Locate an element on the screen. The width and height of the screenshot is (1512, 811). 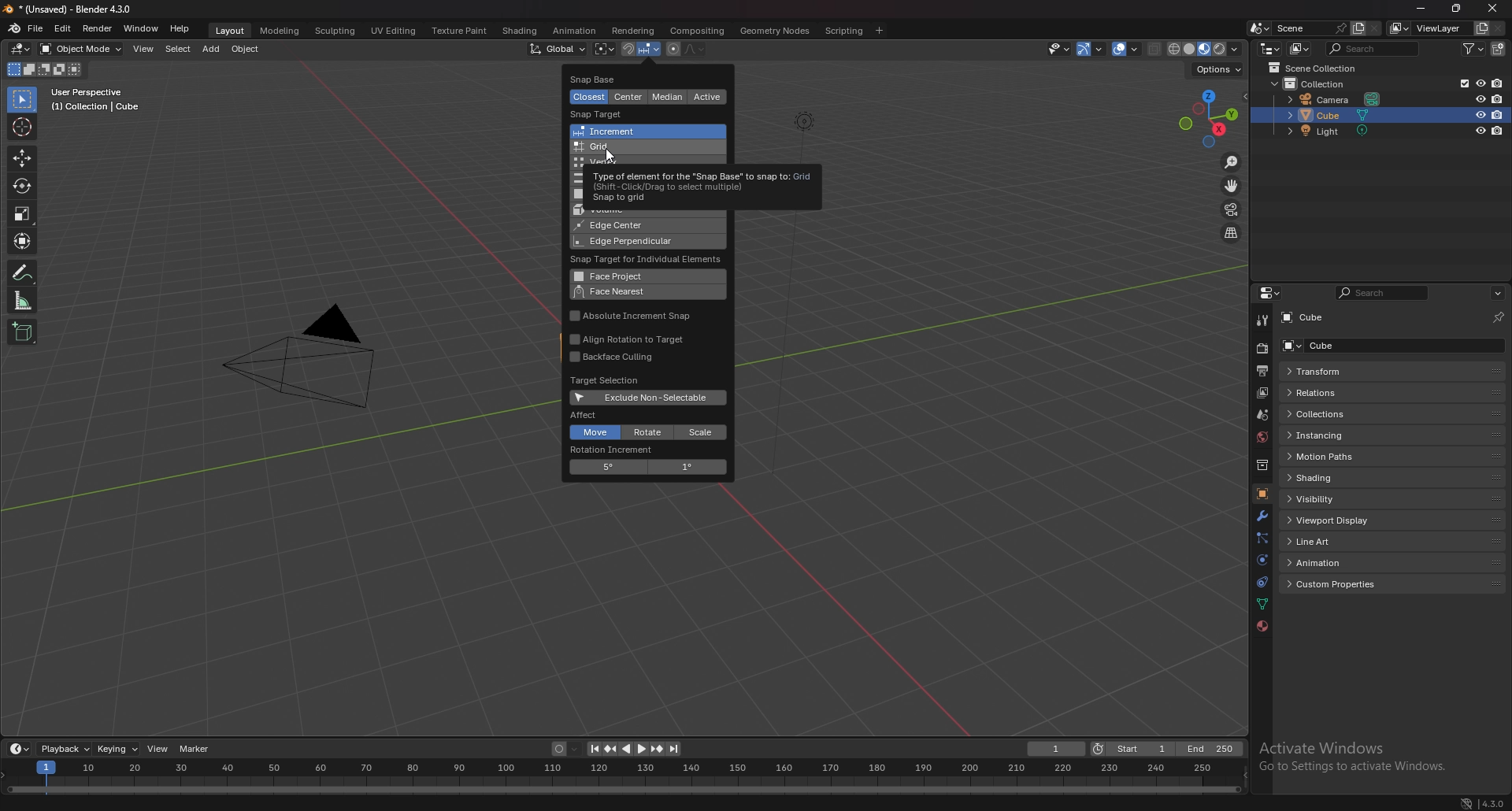
hide in viewport is located at coordinates (1480, 83).